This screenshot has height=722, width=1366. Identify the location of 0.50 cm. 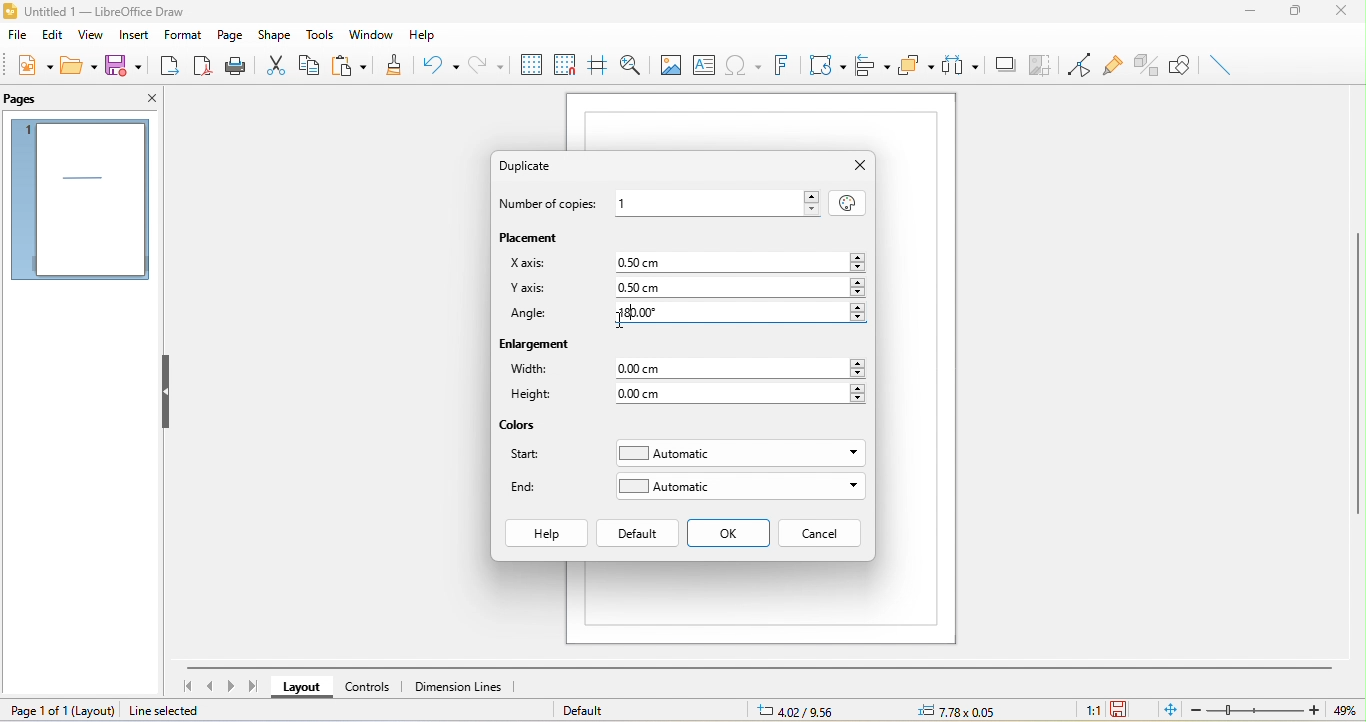
(732, 261).